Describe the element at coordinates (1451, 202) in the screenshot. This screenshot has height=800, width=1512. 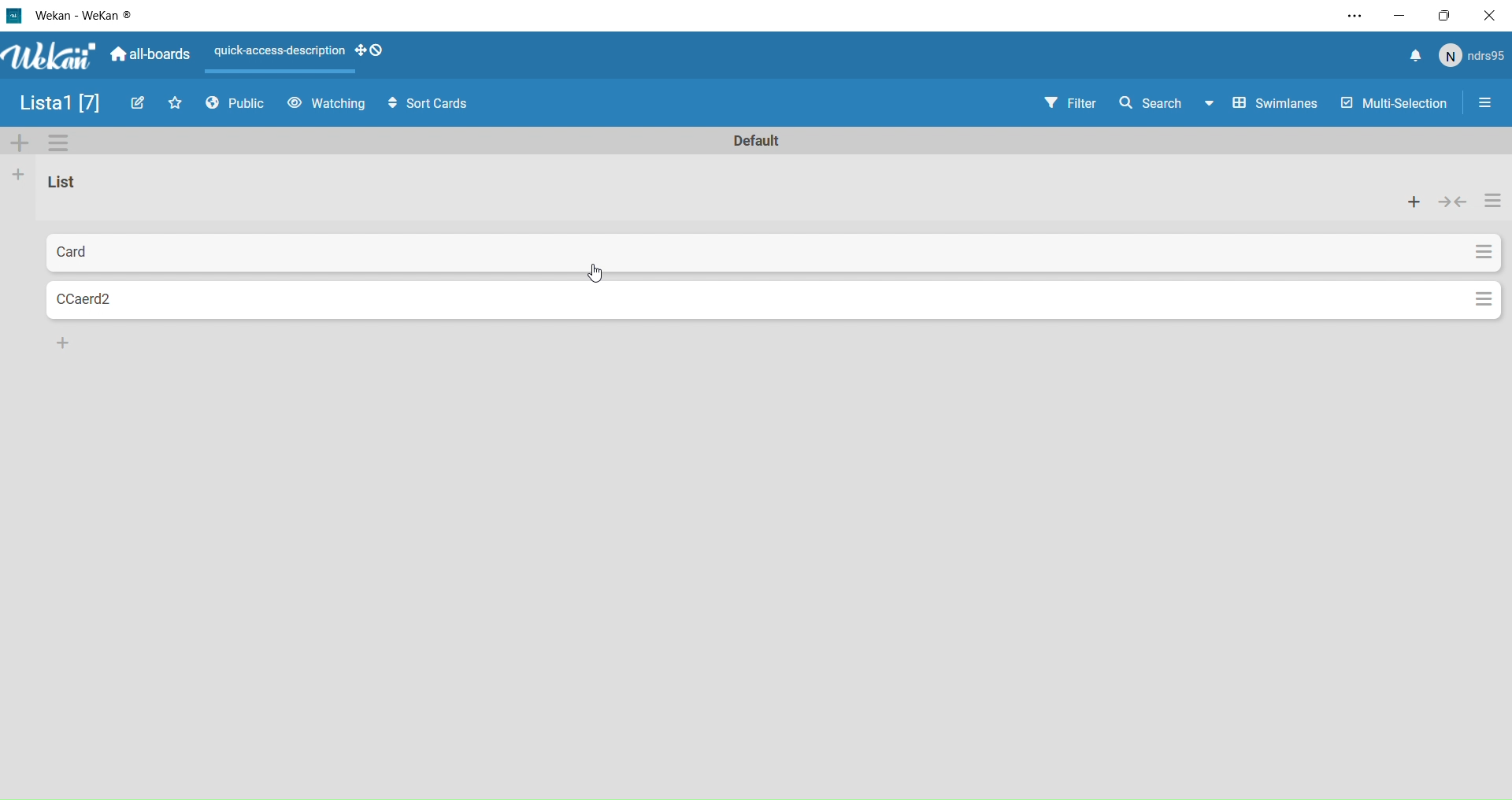
I see `Collapse` at that location.